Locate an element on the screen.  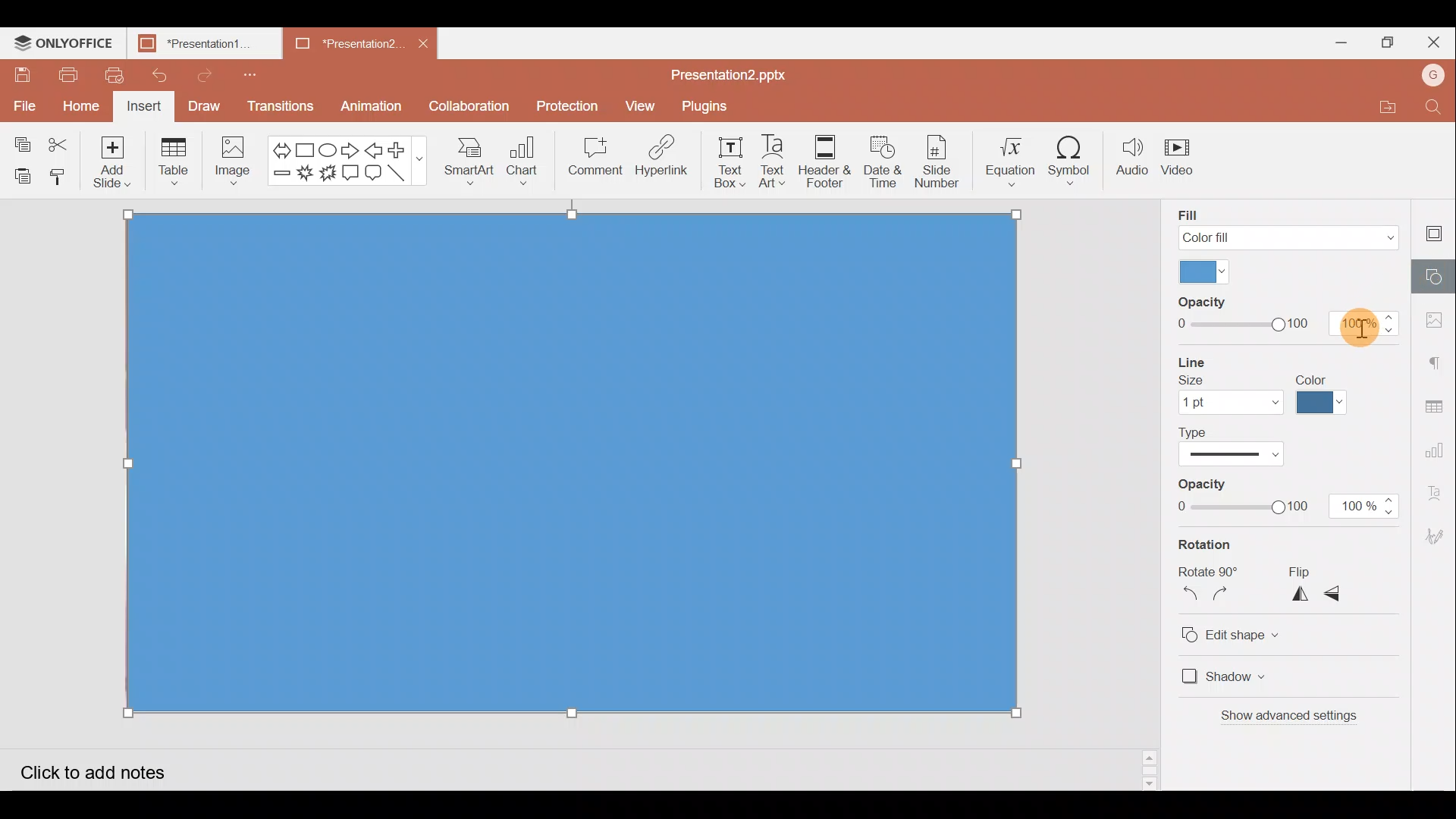
Click to add notes is located at coordinates (104, 767).